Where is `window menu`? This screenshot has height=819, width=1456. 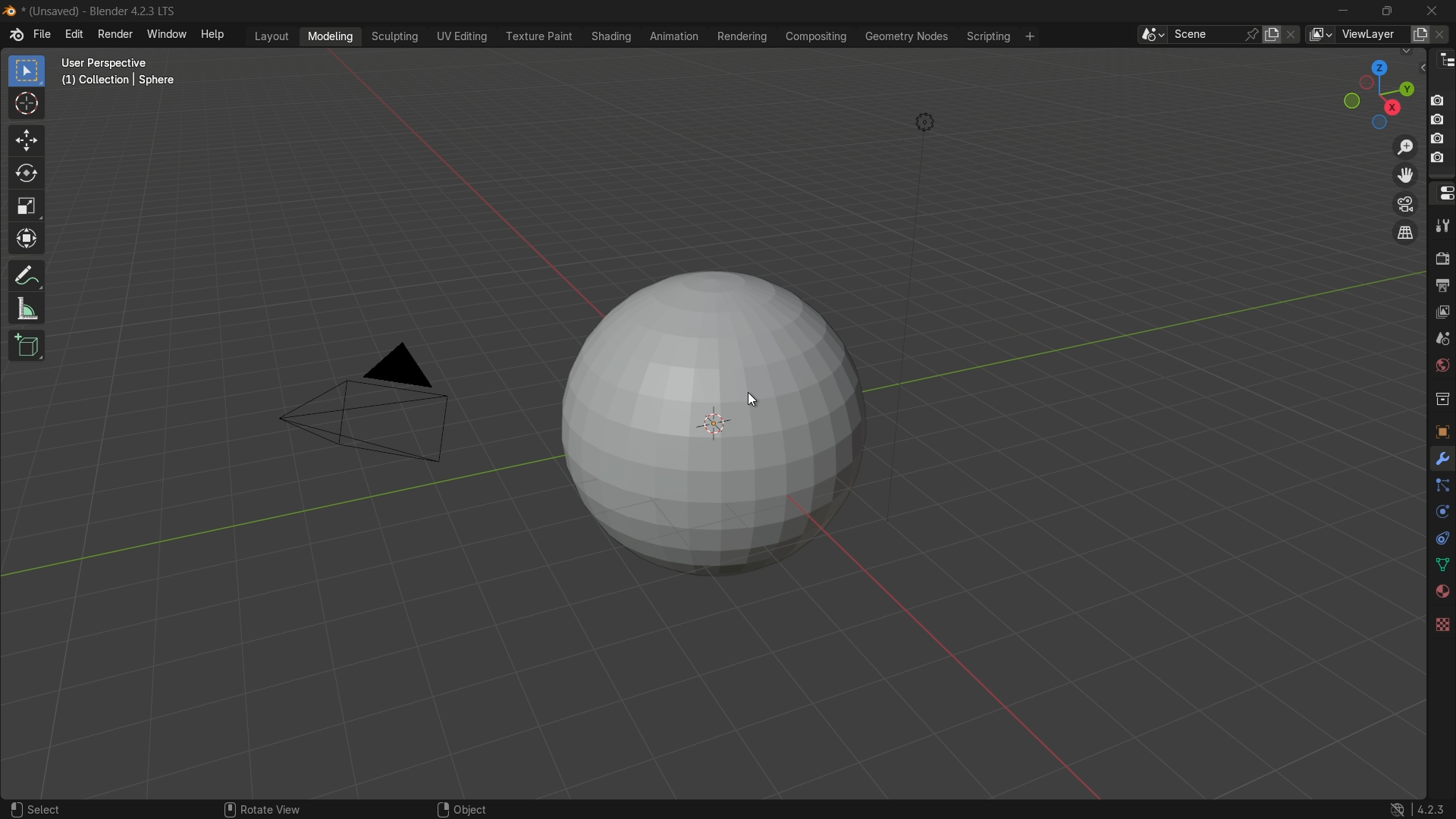
window menu is located at coordinates (166, 36).